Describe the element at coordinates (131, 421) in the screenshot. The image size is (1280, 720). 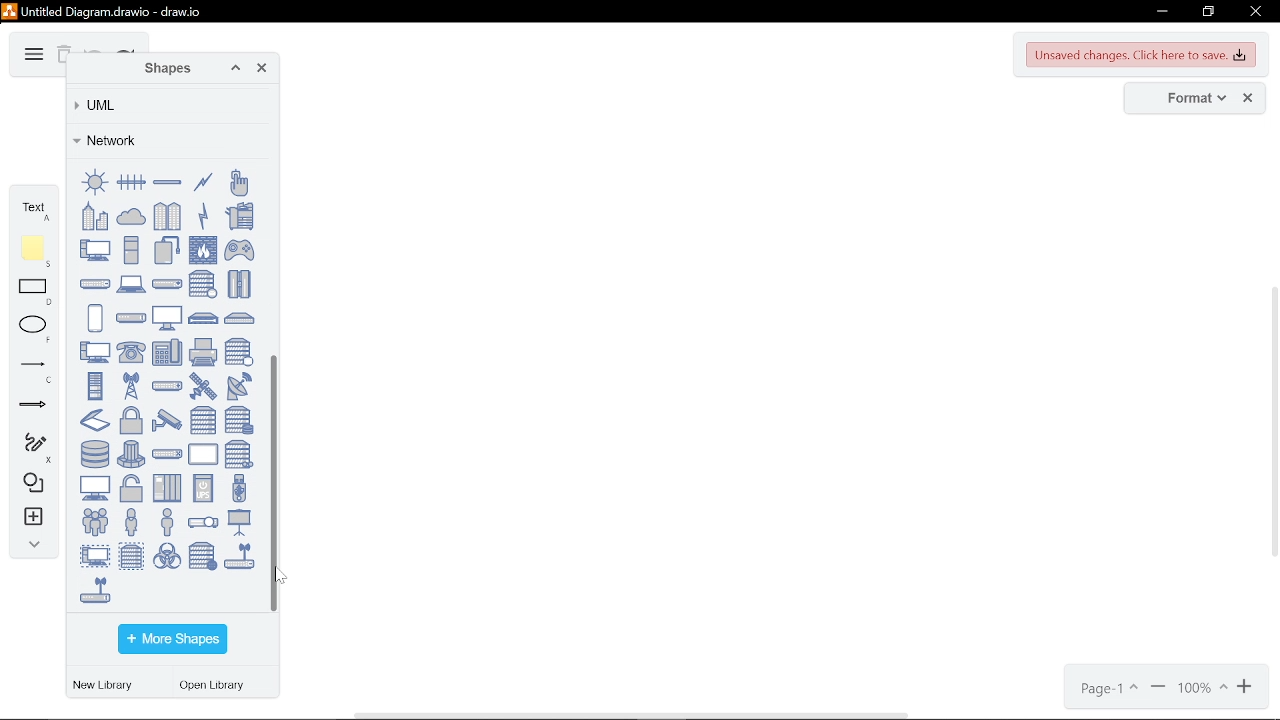
I see `secured` at that location.